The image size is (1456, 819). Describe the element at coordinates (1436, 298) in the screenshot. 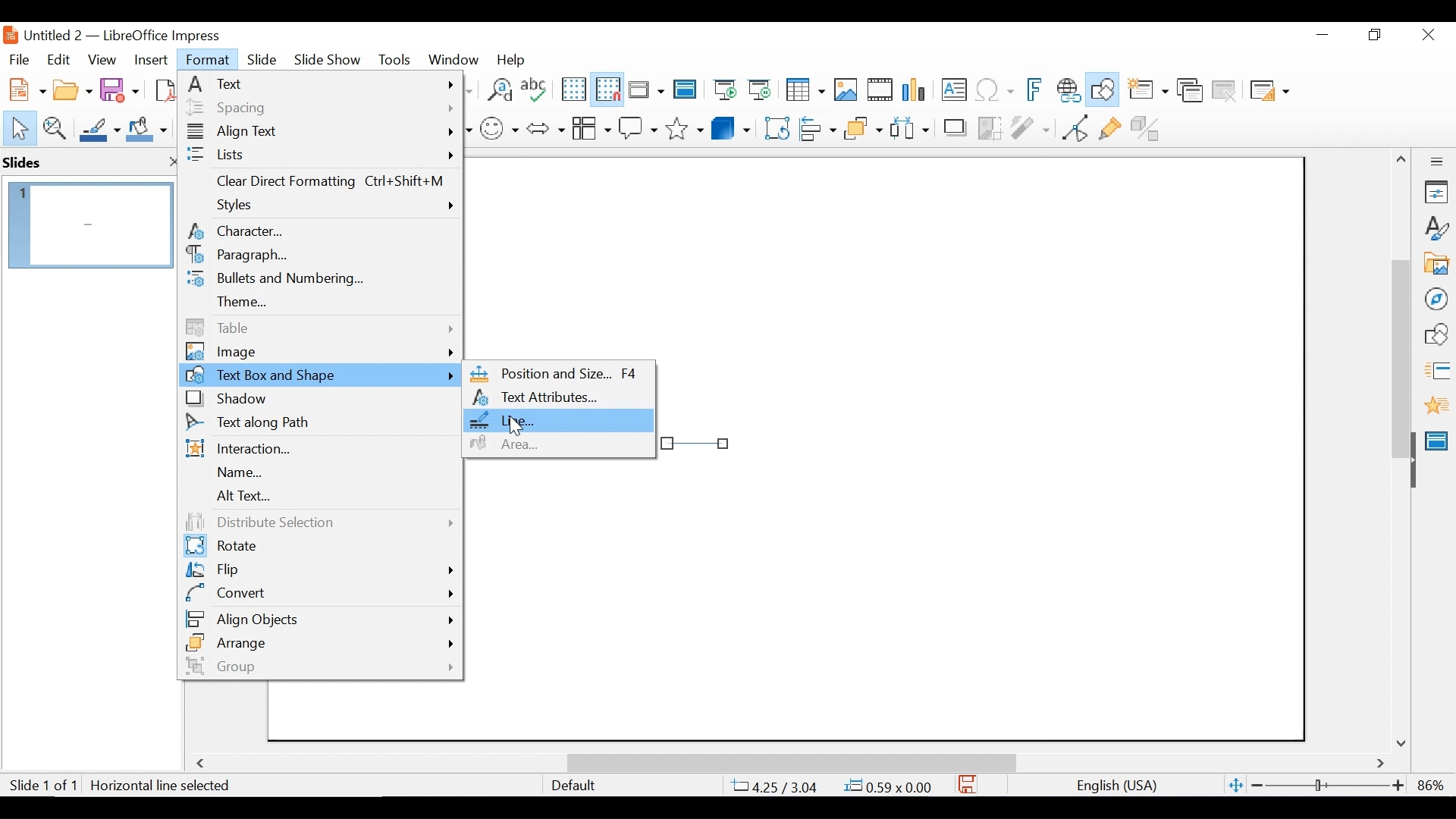

I see `Navigator` at that location.